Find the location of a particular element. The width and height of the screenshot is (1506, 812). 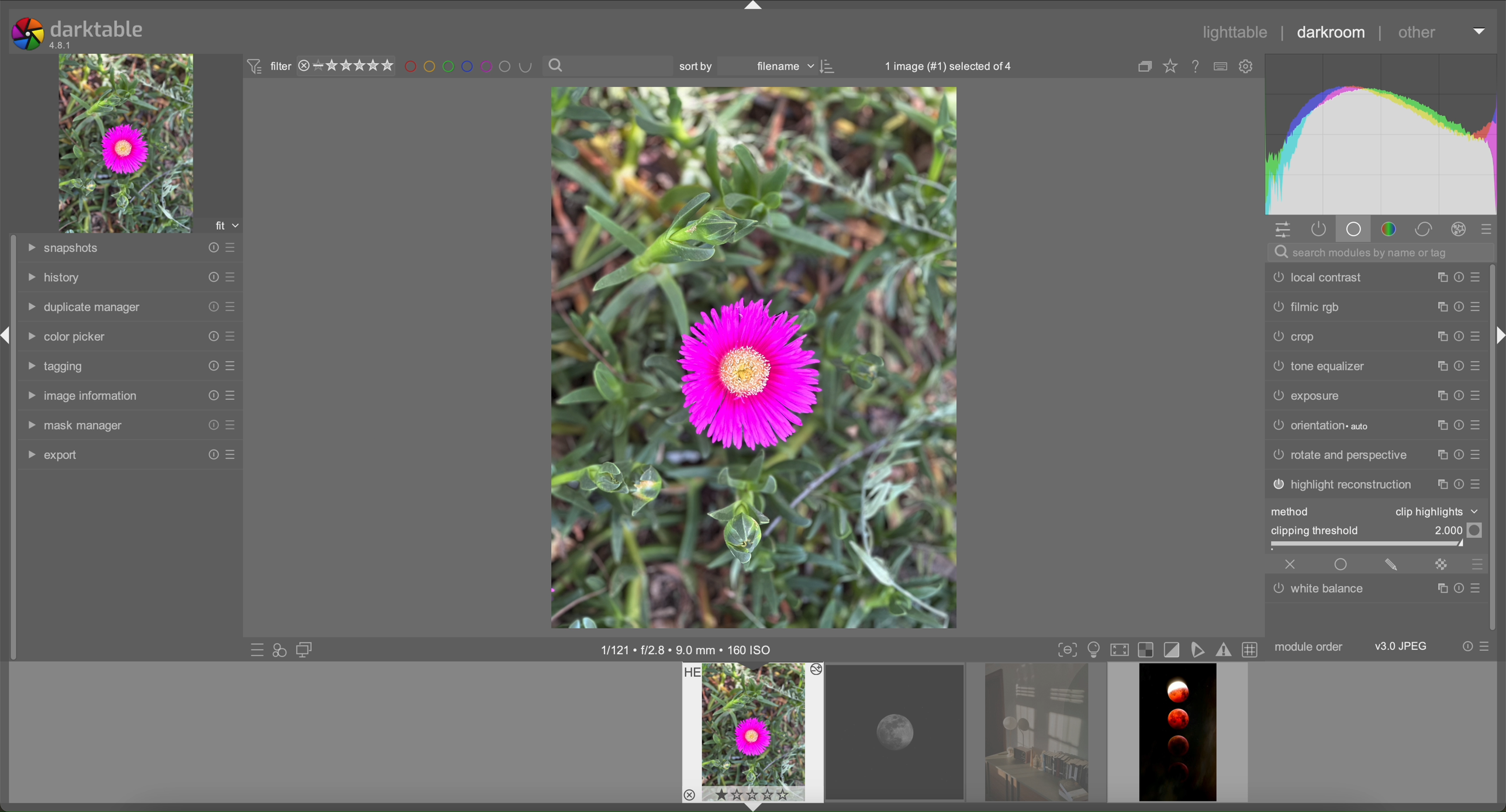

presets is located at coordinates (1478, 564).